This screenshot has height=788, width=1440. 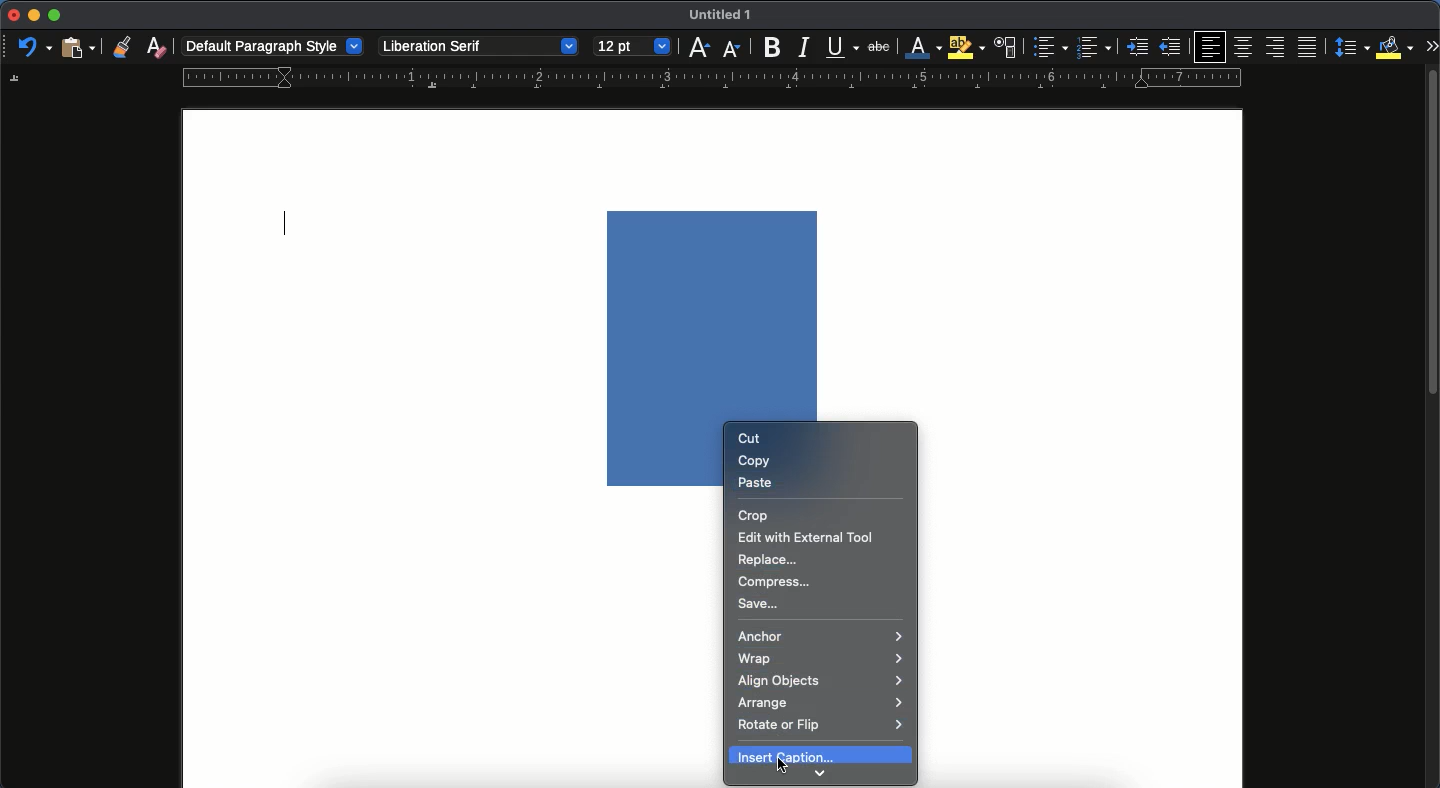 I want to click on wrap, so click(x=823, y=659).